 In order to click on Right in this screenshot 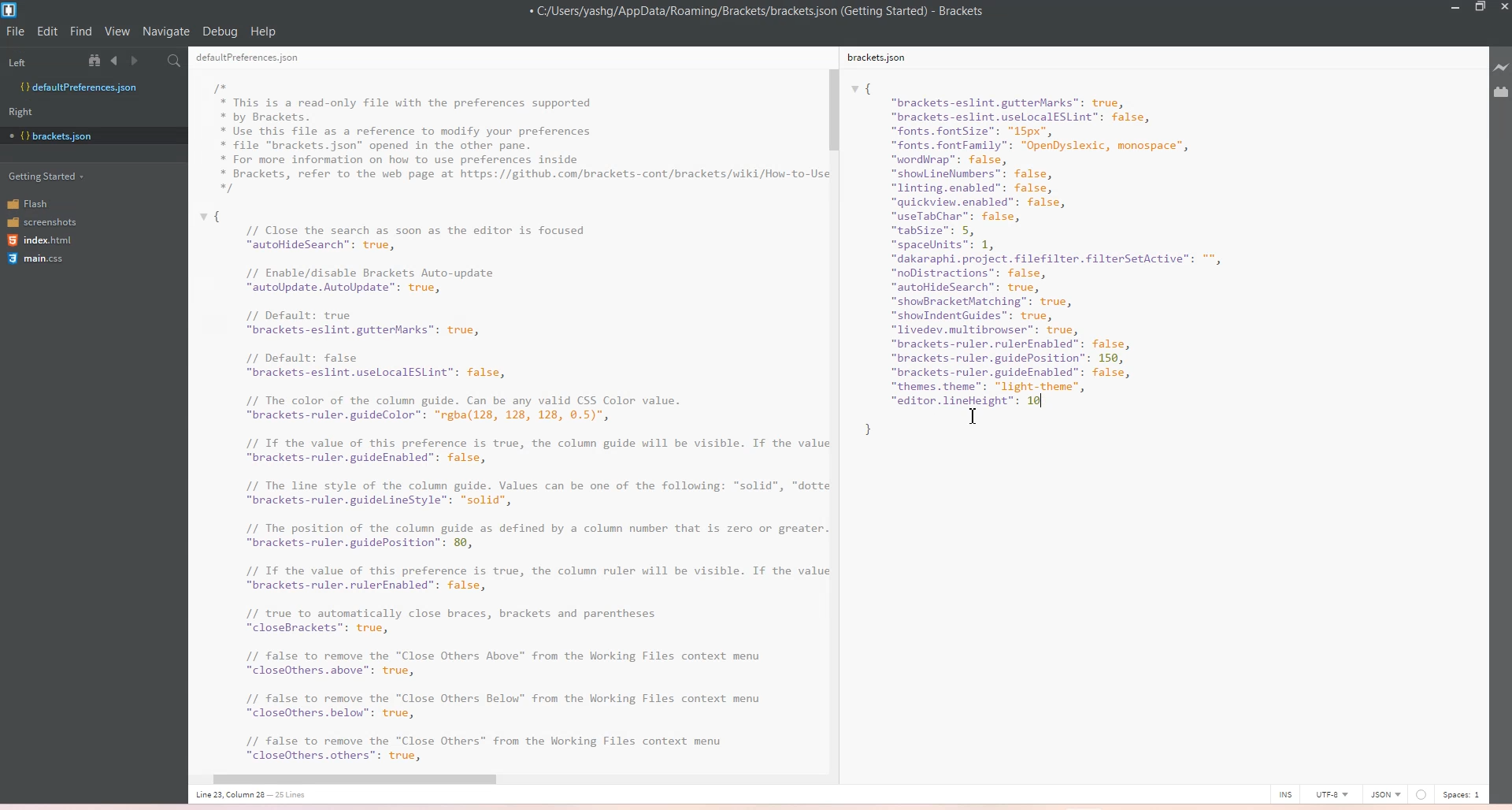, I will do `click(26, 111)`.